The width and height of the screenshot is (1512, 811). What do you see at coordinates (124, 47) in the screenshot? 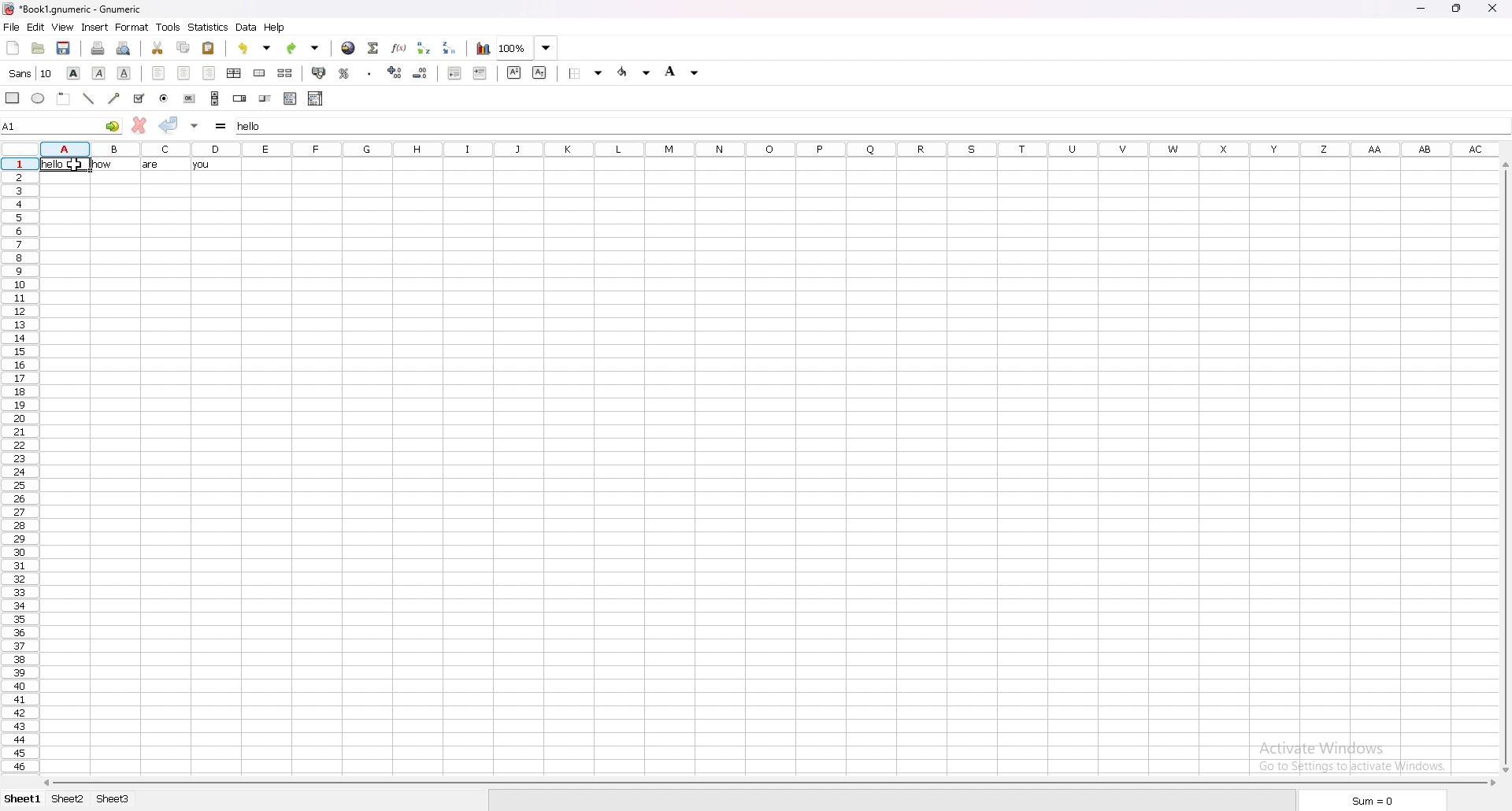
I see `print preview` at bounding box center [124, 47].